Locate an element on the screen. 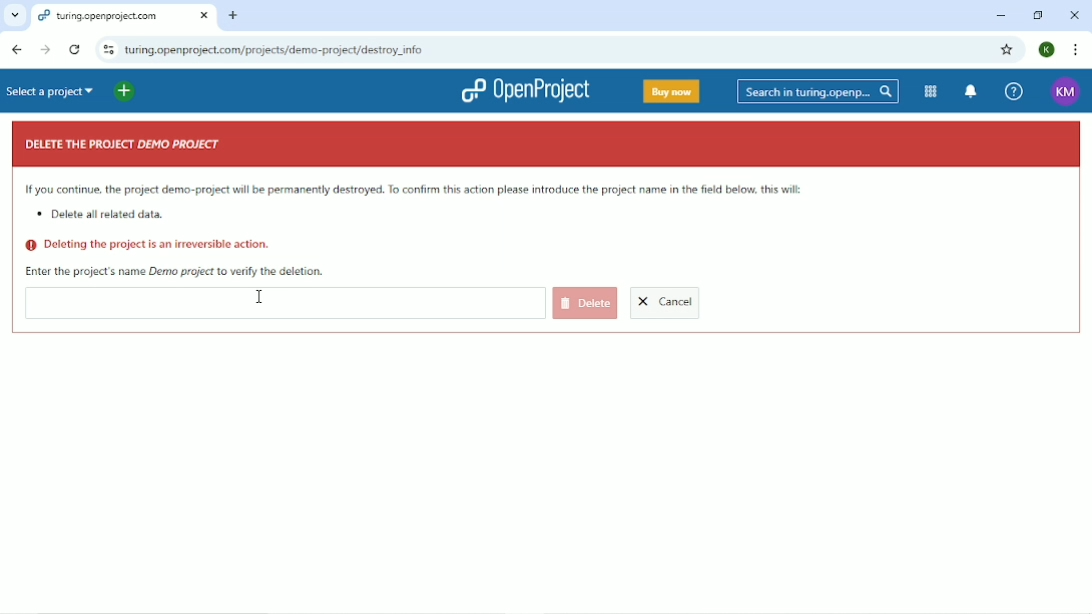 Image resolution: width=1092 pixels, height=614 pixels. Customize and control google chrome is located at coordinates (1077, 50).